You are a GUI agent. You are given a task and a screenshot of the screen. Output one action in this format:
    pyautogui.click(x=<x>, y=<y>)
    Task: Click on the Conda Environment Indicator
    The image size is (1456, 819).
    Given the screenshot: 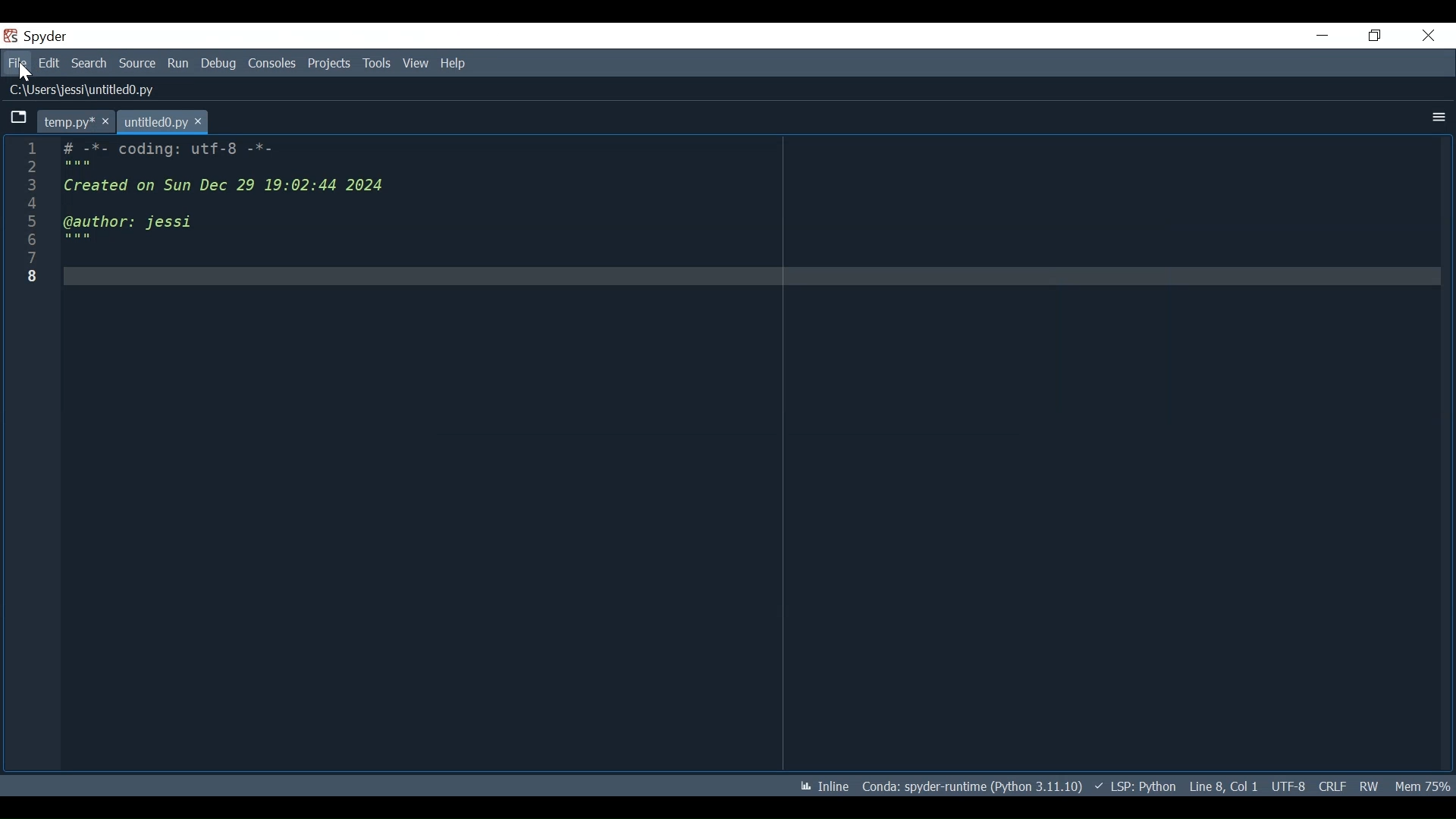 What is the action you would take?
    pyautogui.click(x=970, y=786)
    